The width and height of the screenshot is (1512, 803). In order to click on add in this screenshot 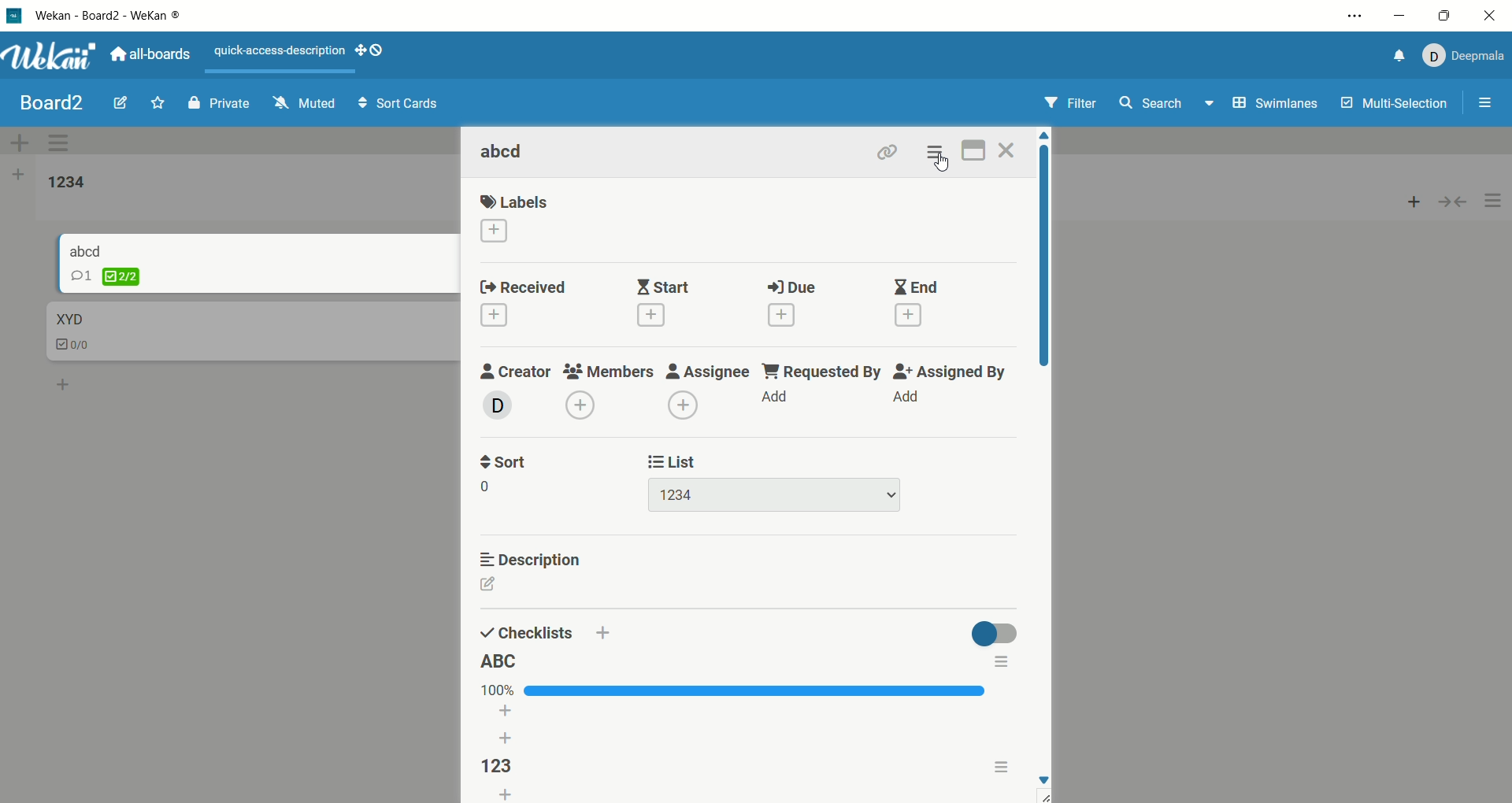, I will do `click(602, 634)`.